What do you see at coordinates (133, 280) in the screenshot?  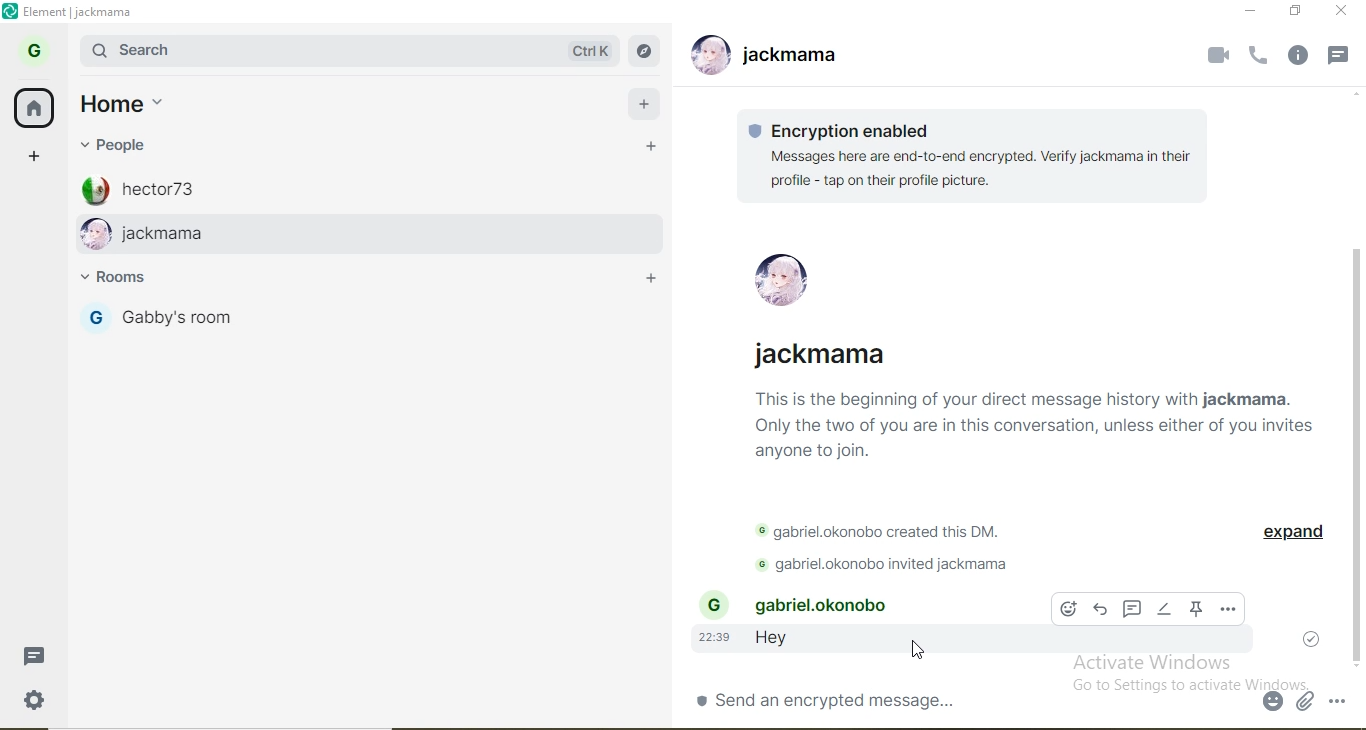 I see `room` at bounding box center [133, 280].